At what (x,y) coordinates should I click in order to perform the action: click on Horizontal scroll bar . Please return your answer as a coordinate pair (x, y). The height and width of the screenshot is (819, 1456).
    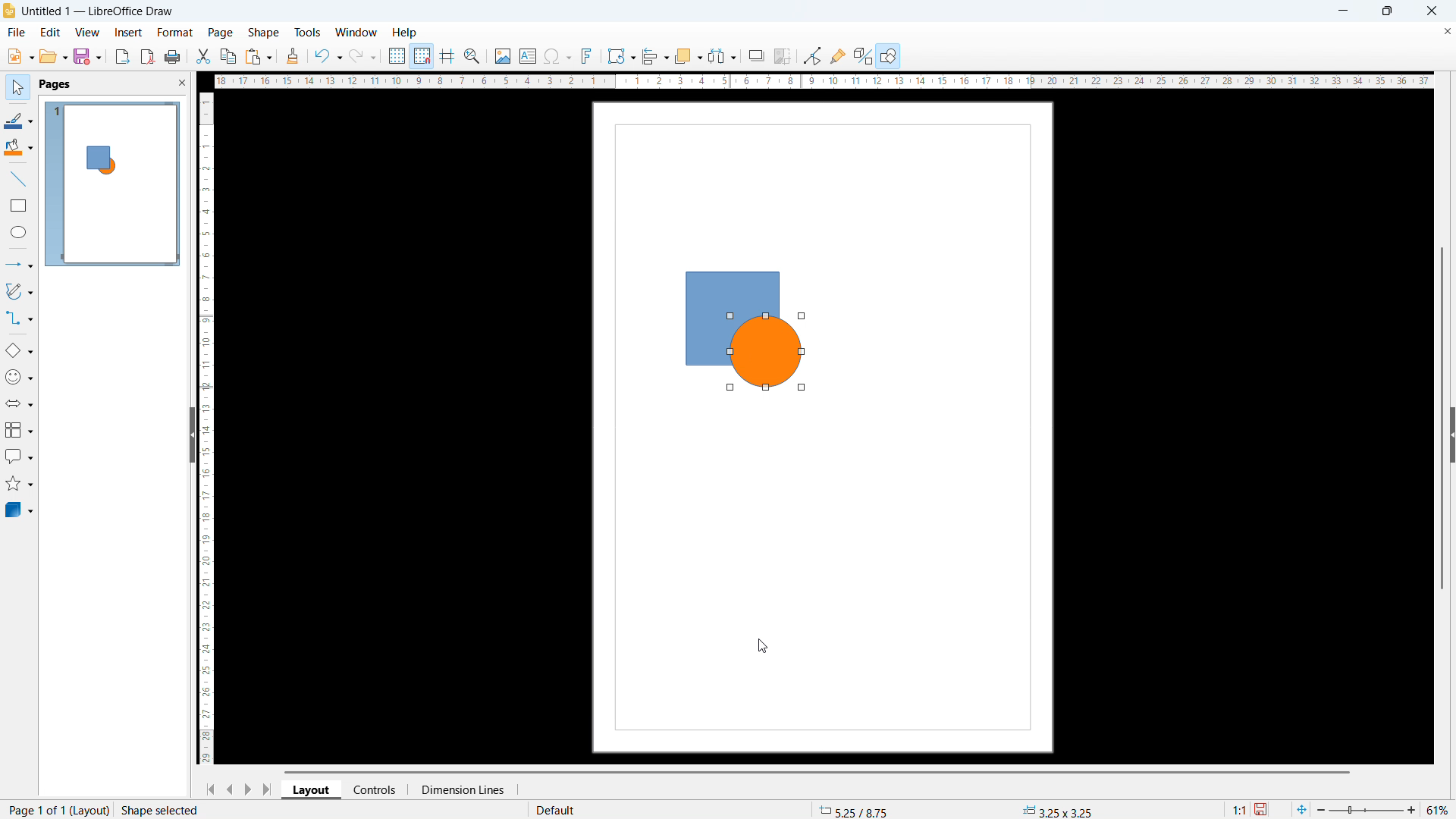
    Looking at the image, I should click on (817, 772).